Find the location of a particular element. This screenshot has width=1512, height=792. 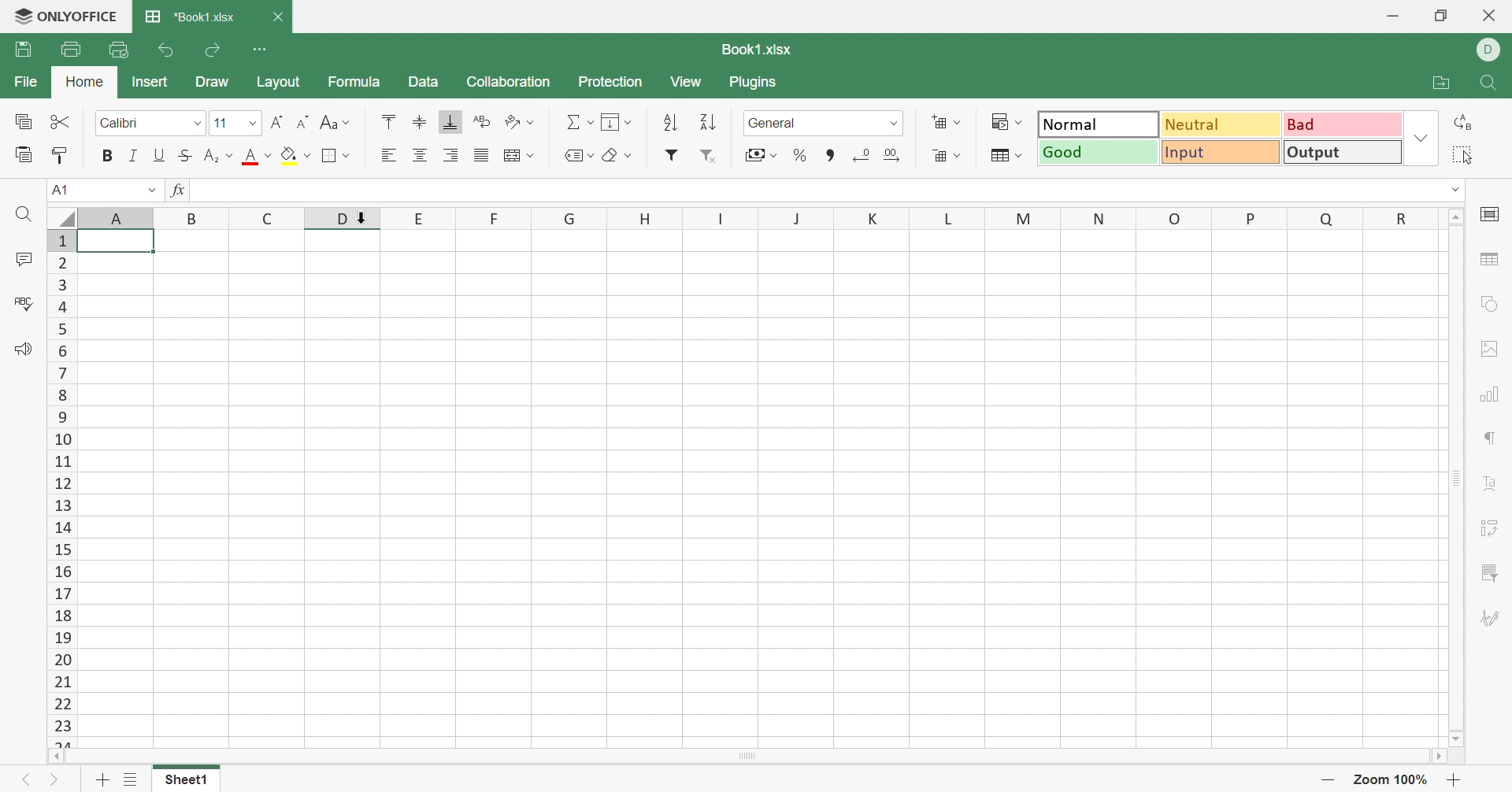

Percentage style is located at coordinates (801, 157).